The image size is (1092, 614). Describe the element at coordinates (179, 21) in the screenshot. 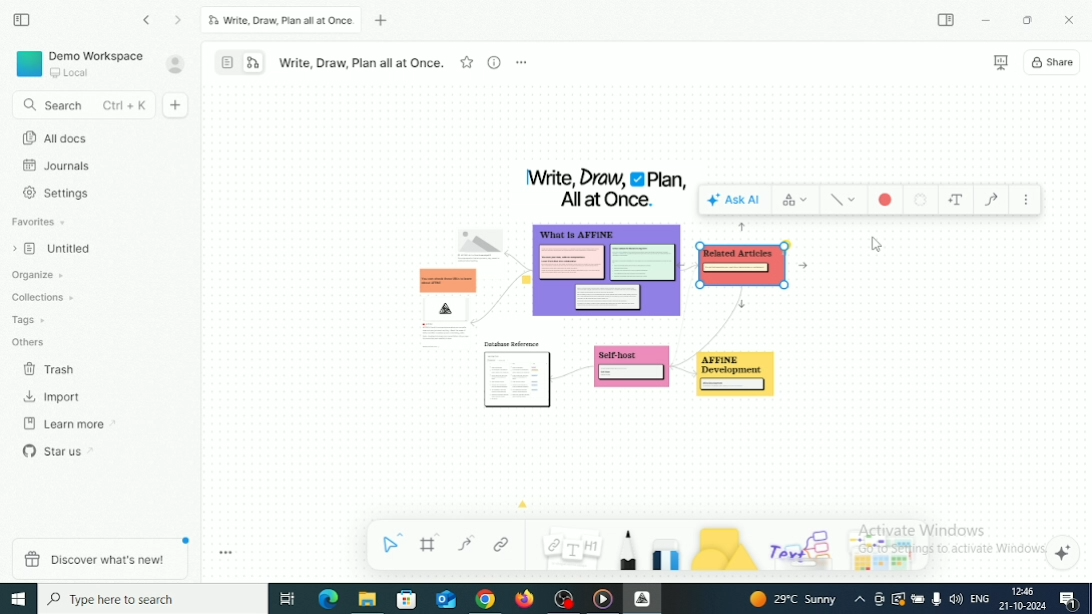

I see `Go forward` at that location.